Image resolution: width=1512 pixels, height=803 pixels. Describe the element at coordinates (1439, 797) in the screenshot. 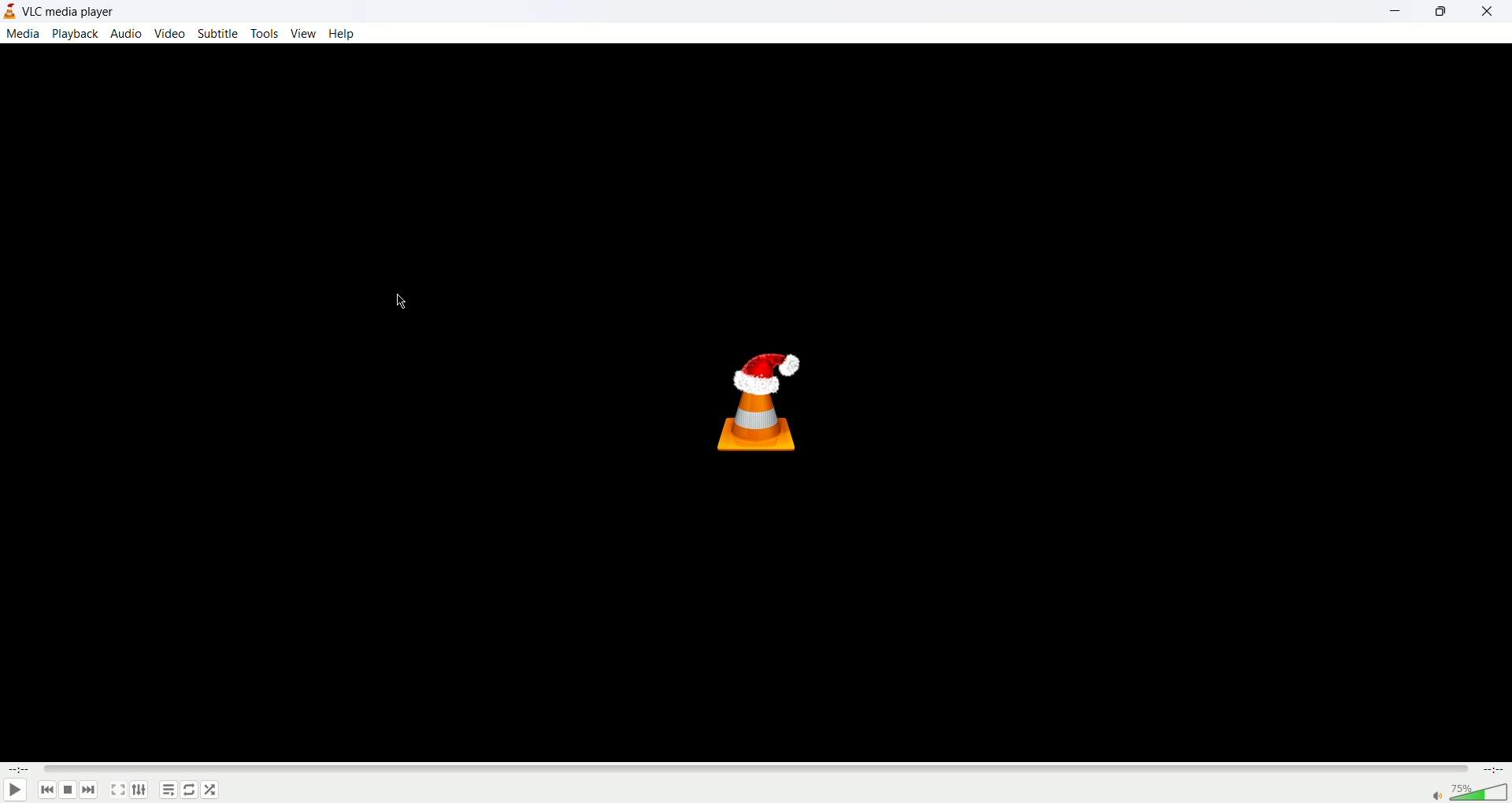

I see `mute` at that location.